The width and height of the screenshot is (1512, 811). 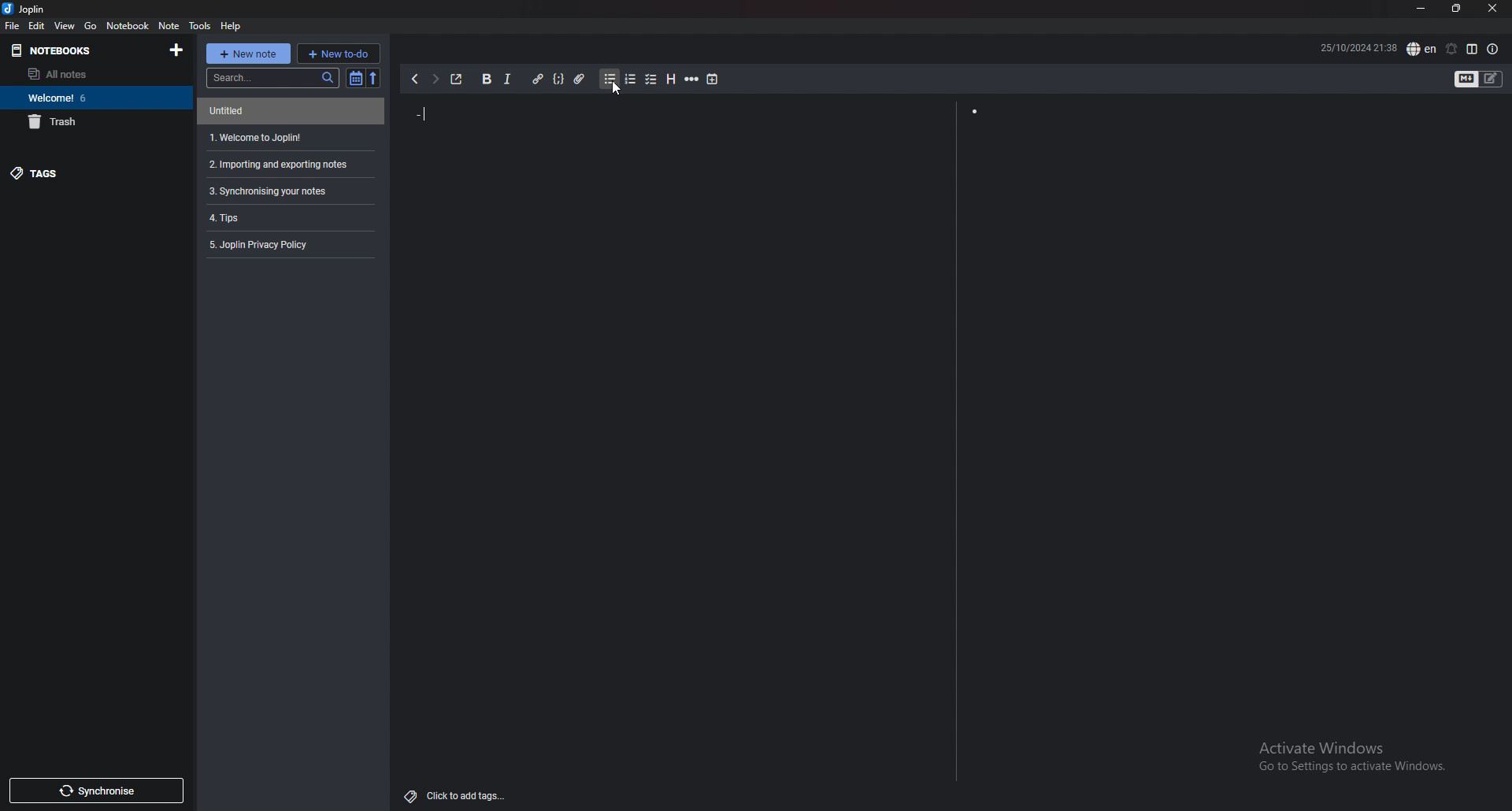 I want to click on Notebook, so click(x=122, y=24).